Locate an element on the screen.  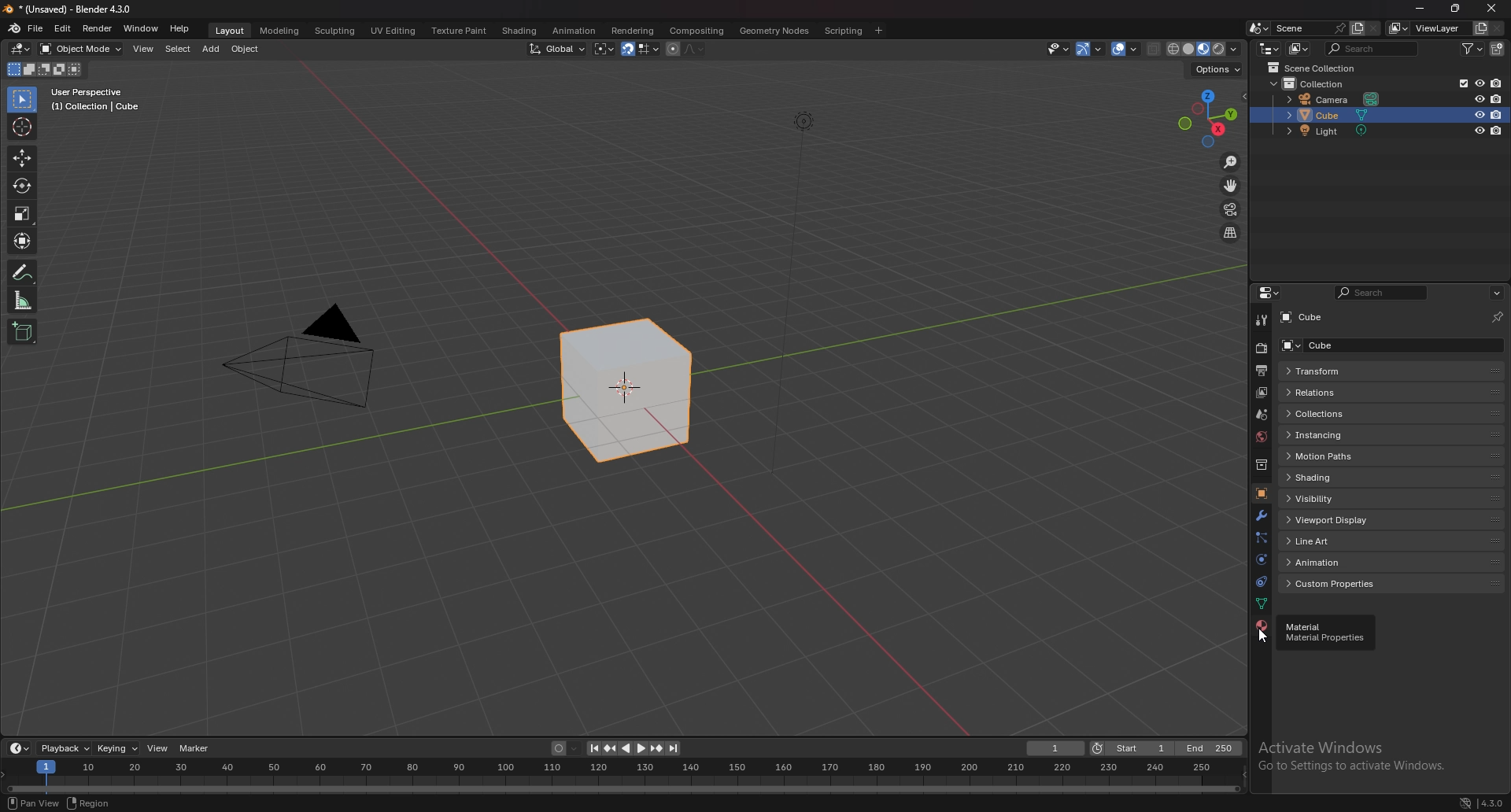
light is located at coordinates (1333, 131).